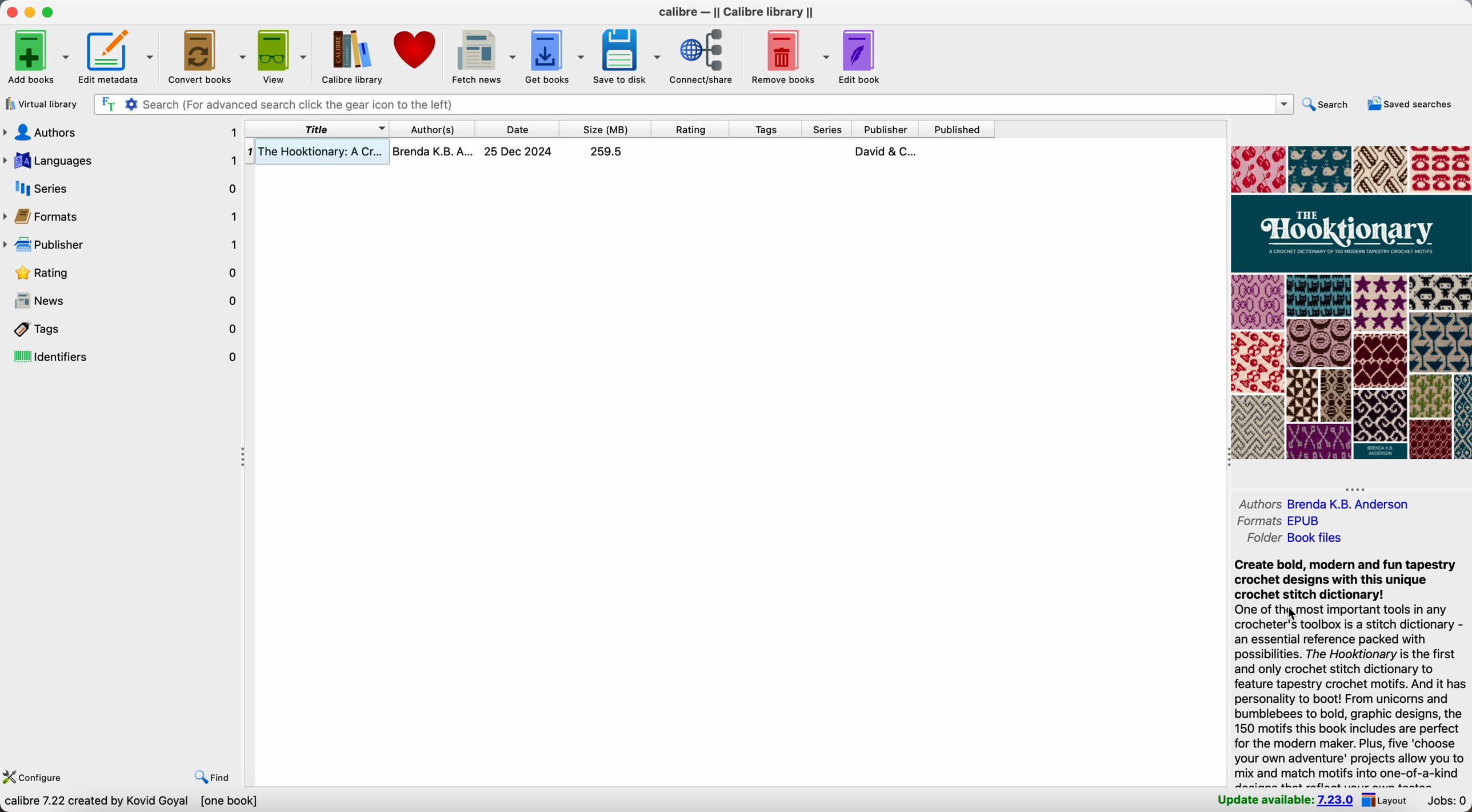 The image size is (1472, 812). I want to click on book, so click(621, 153).